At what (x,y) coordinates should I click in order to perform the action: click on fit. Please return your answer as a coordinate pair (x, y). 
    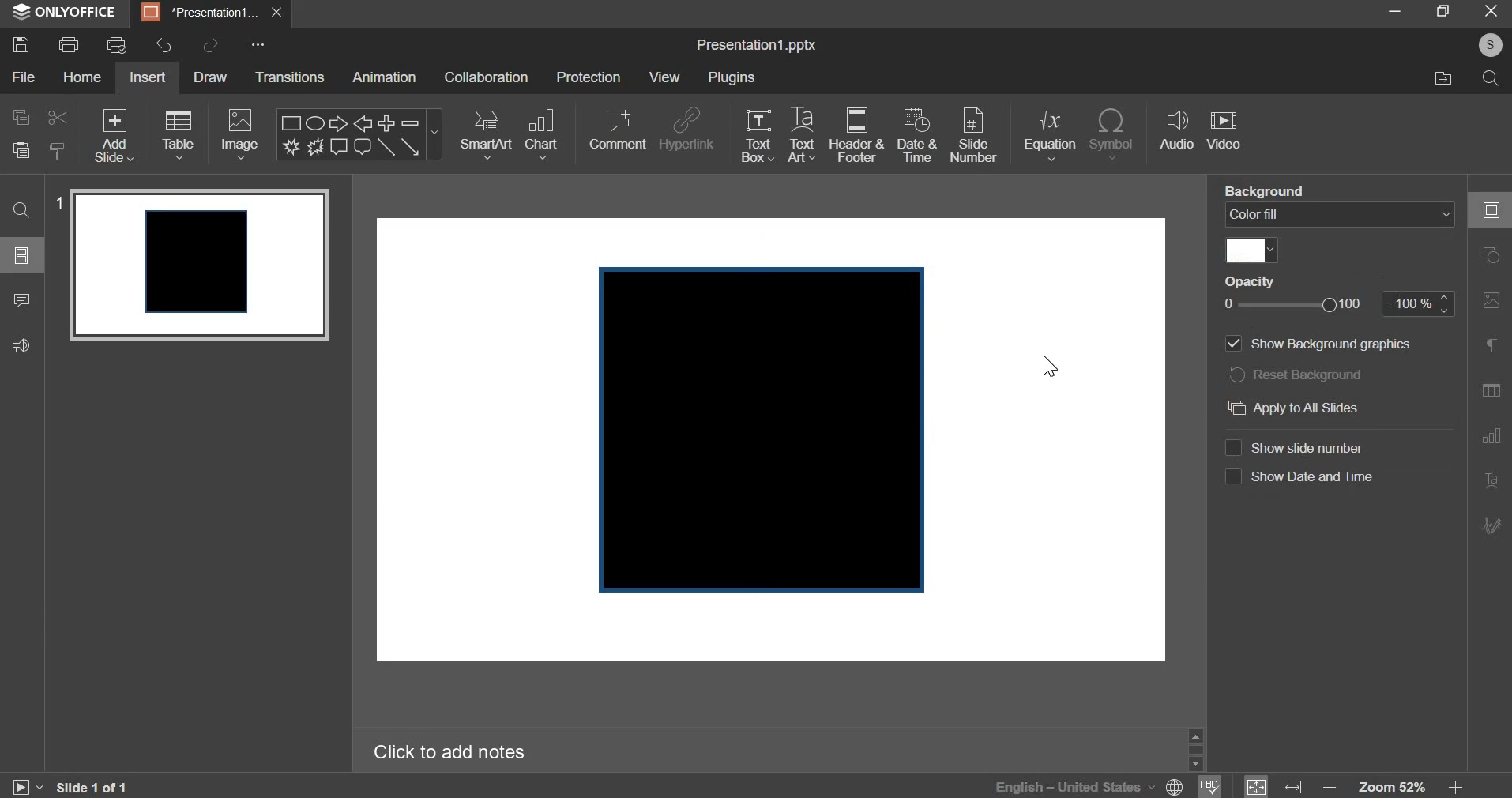
    Looking at the image, I should click on (1269, 784).